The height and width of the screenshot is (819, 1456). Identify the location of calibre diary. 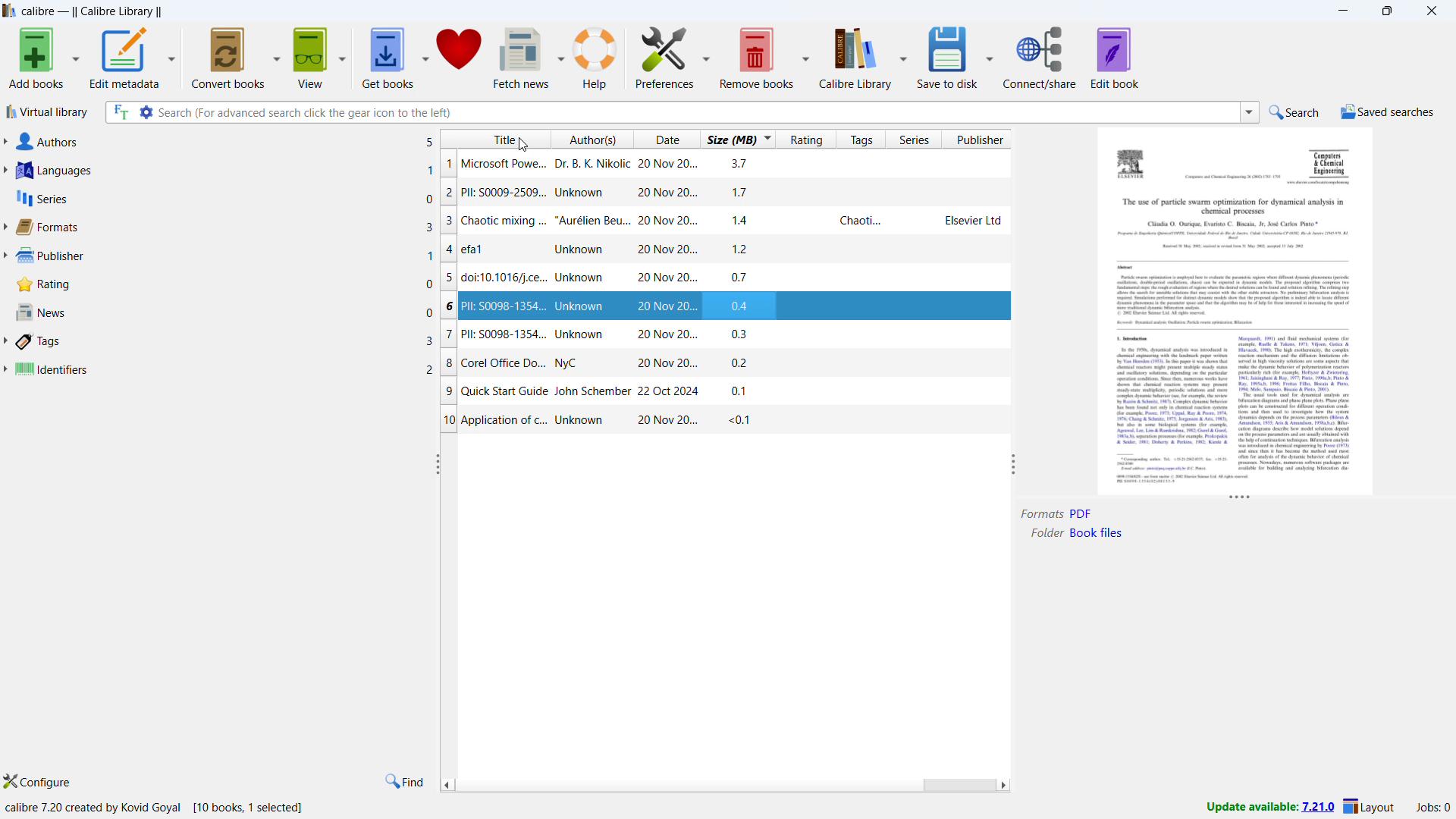
(855, 56).